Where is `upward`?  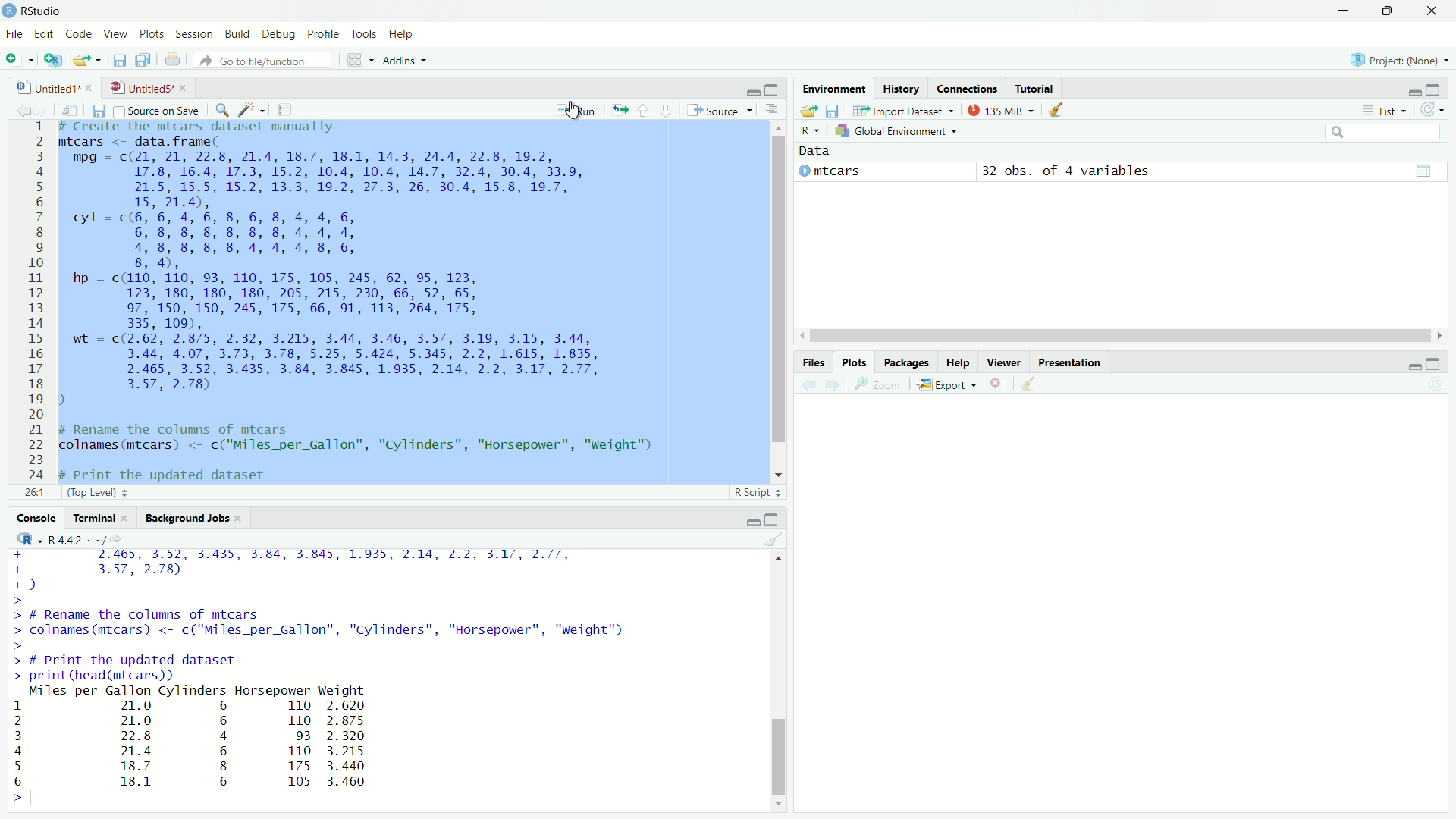 upward is located at coordinates (645, 108).